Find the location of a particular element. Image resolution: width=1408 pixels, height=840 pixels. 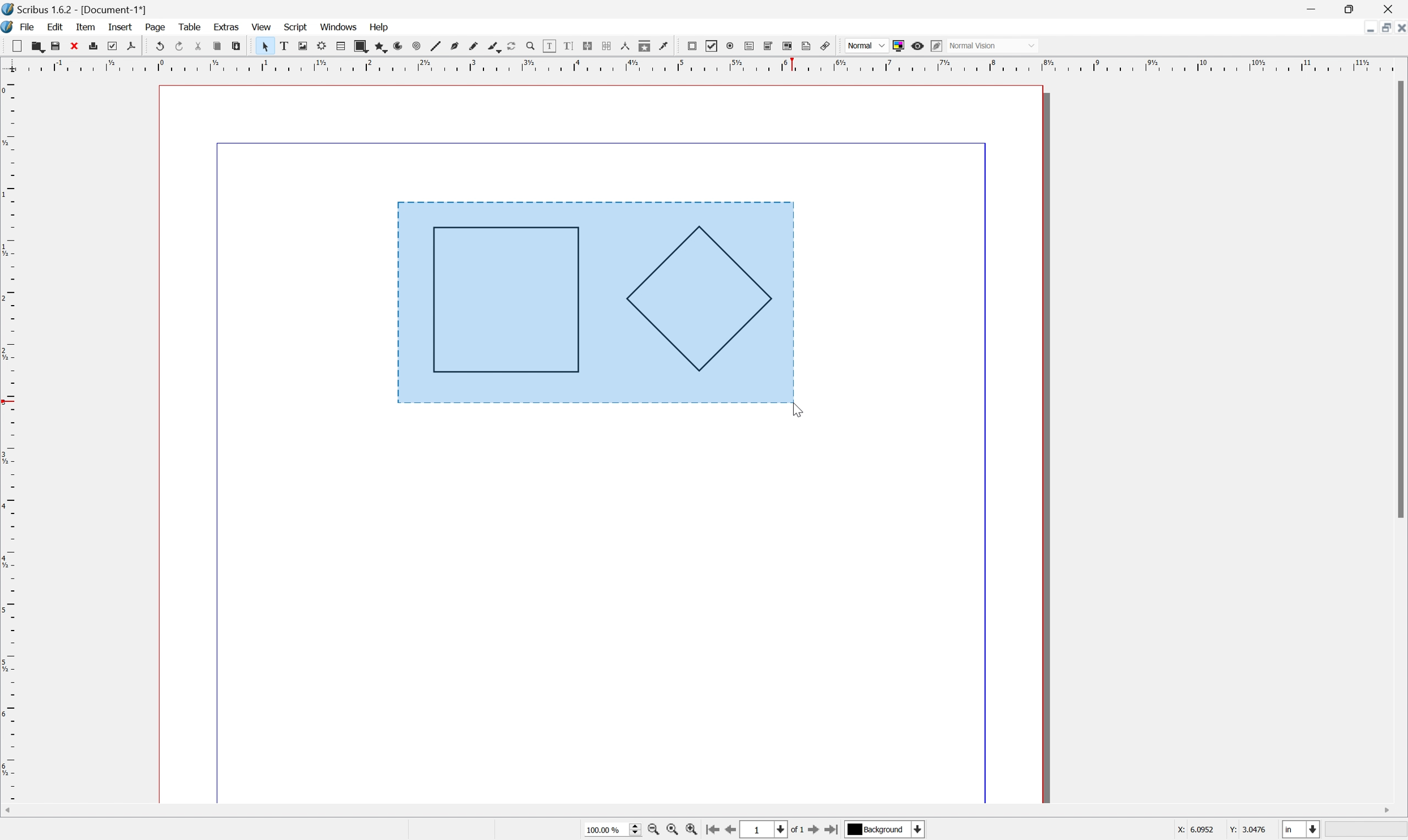

Go to next page is located at coordinates (811, 831).